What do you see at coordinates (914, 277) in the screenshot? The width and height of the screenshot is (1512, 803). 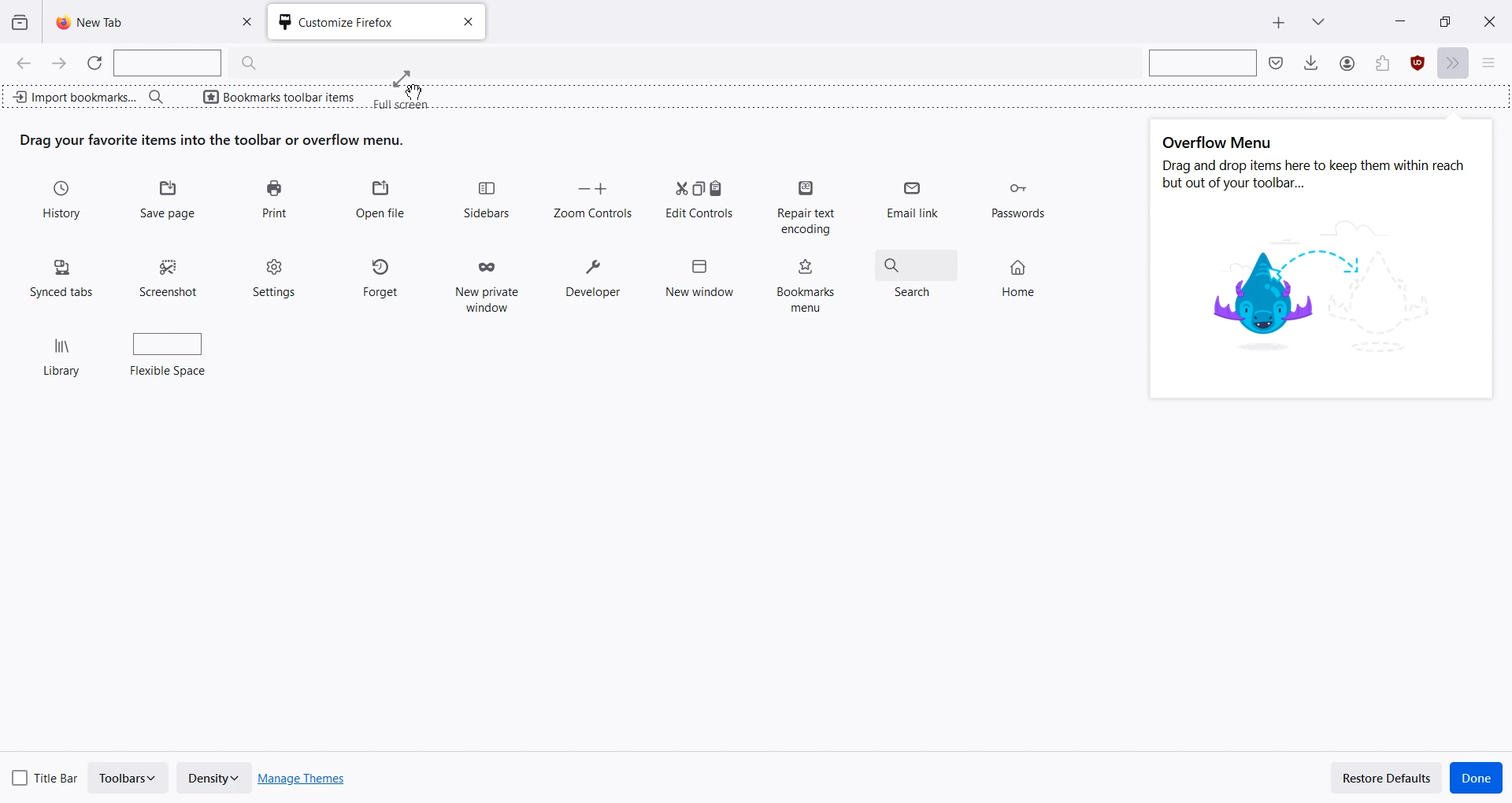 I see `Search` at bounding box center [914, 277].